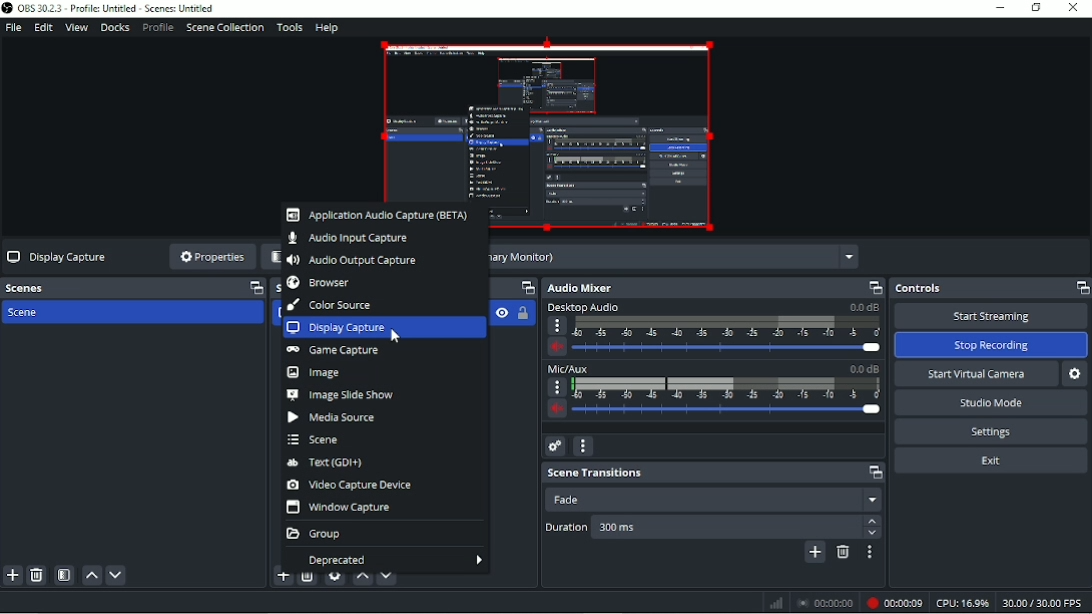  I want to click on Color source, so click(329, 305).